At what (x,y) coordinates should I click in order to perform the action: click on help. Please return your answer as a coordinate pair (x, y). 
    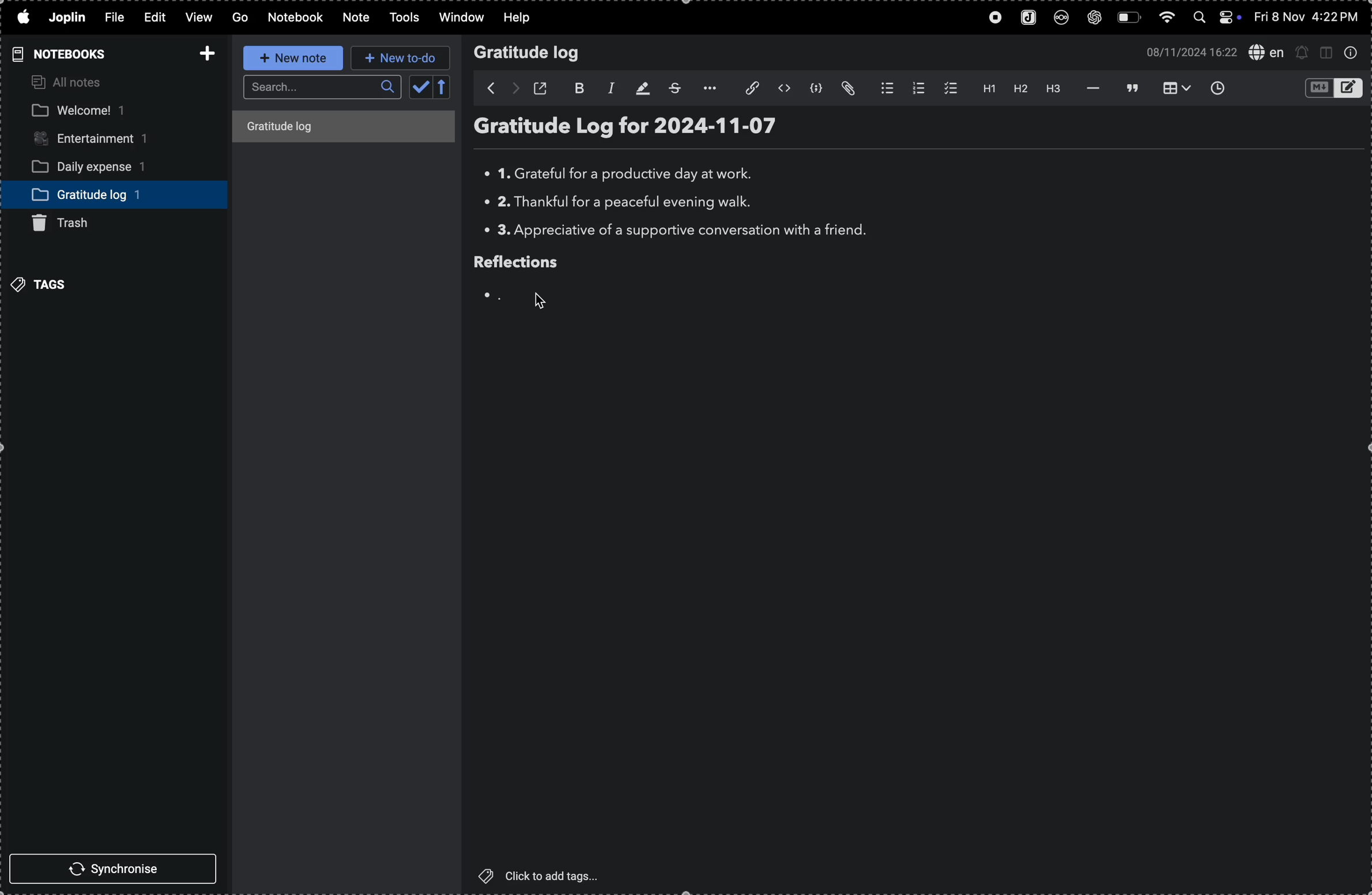
    Looking at the image, I should click on (521, 18).